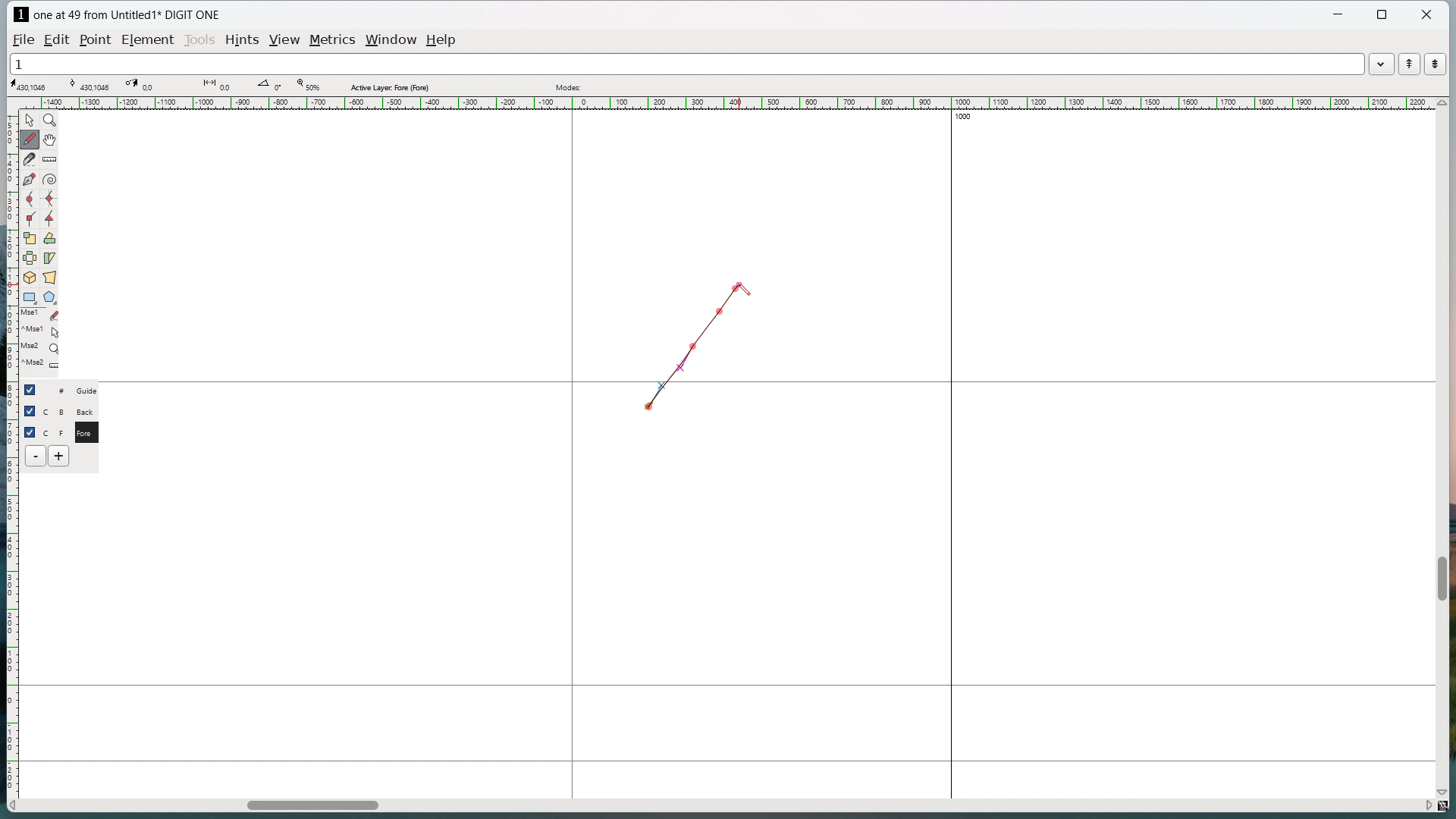 Image resolution: width=1456 pixels, height=819 pixels. What do you see at coordinates (52, 139) in the screenshot?
I see `scroll by hand` at bounding box center [52, 139].